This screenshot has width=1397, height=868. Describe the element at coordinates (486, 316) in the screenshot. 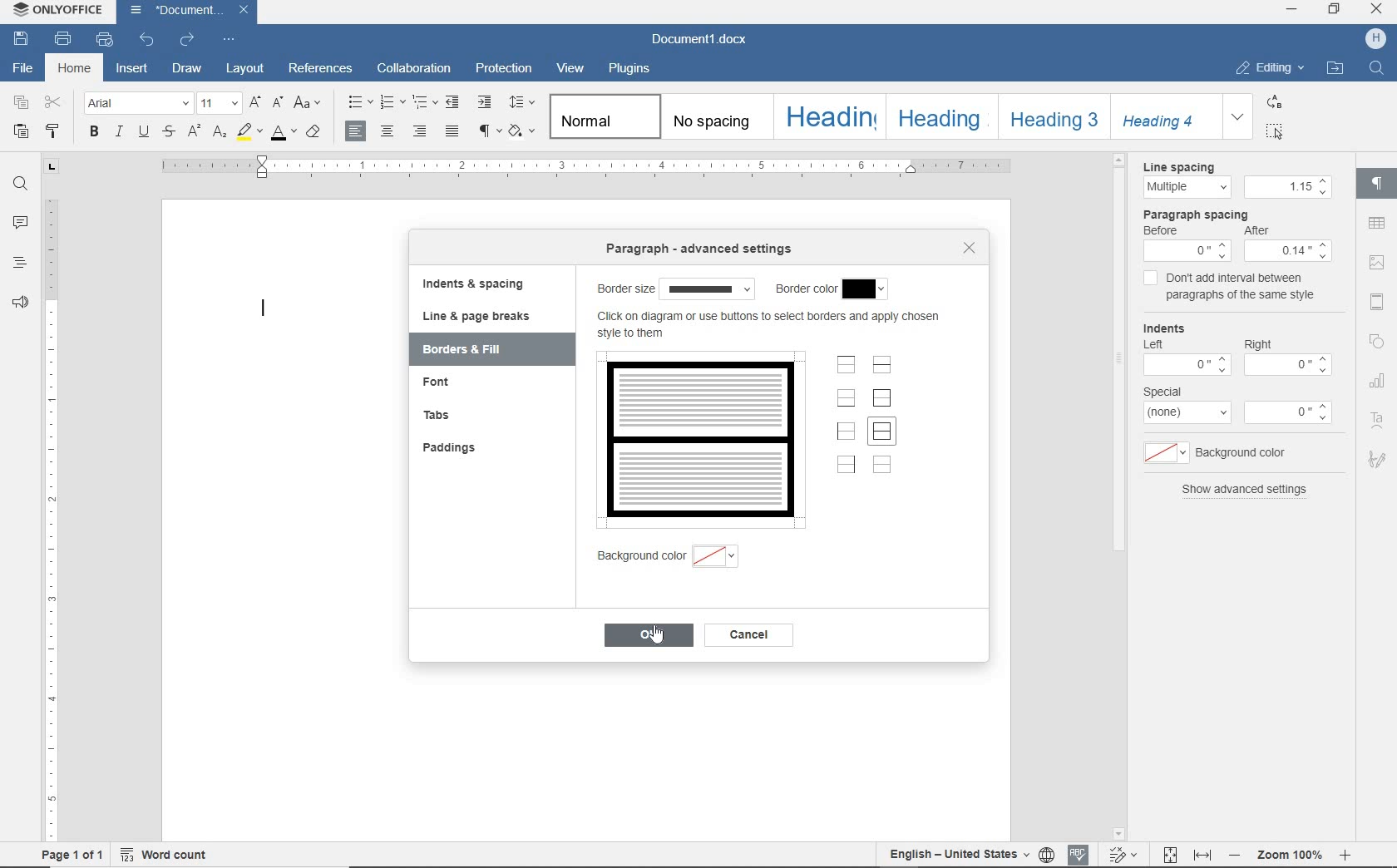

I see `line & page breaks` at that location.